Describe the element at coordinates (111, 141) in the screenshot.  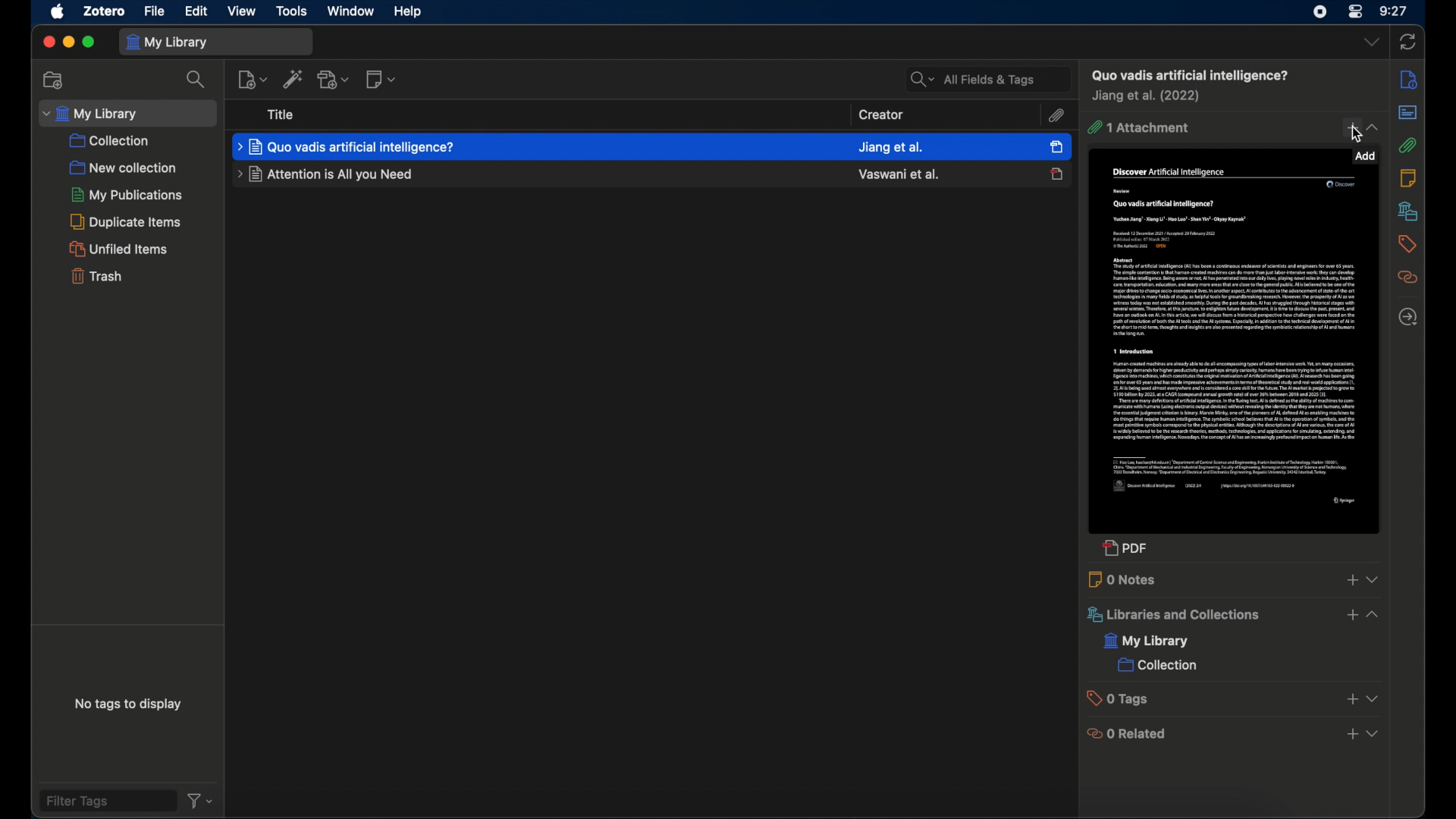
I see `collection` at that location.